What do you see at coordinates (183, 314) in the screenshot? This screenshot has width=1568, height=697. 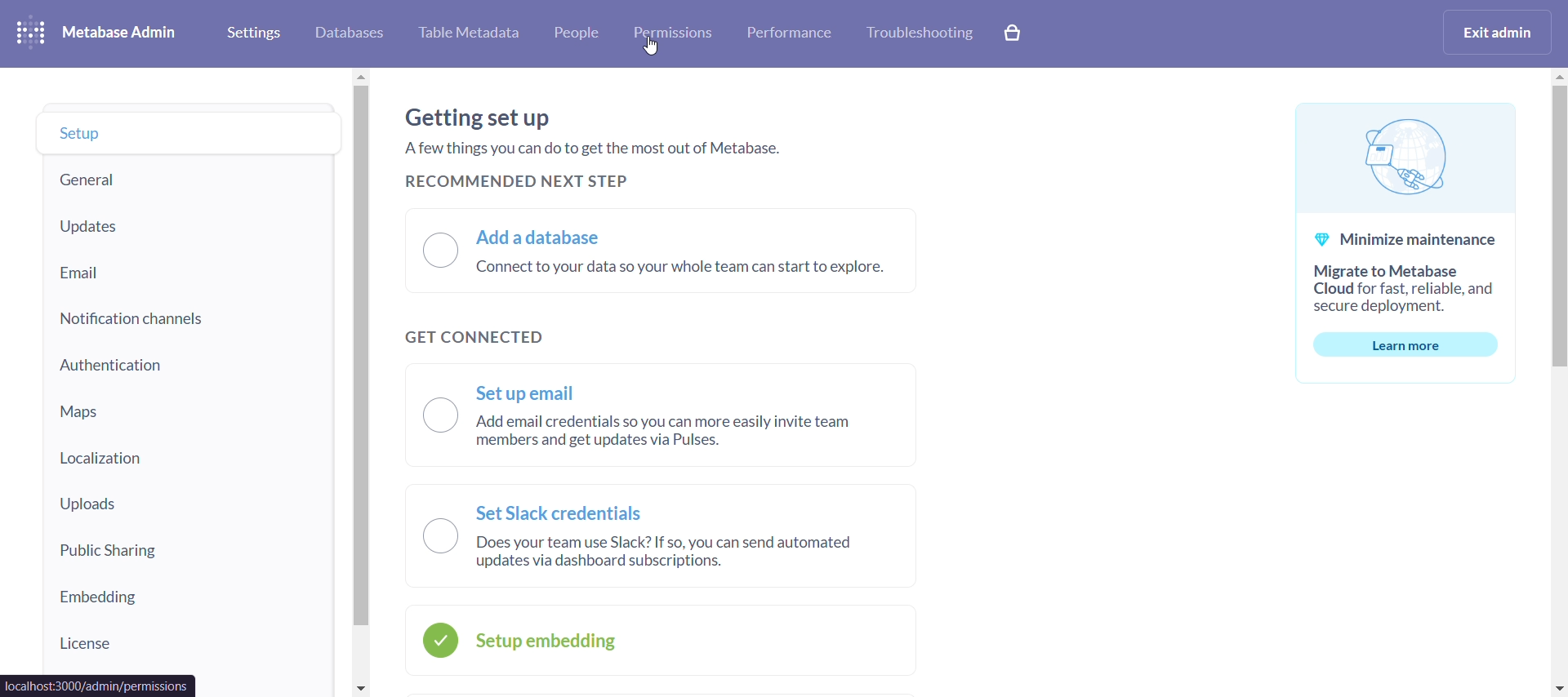 I see `notification channels` at bounding box center [183, 314].